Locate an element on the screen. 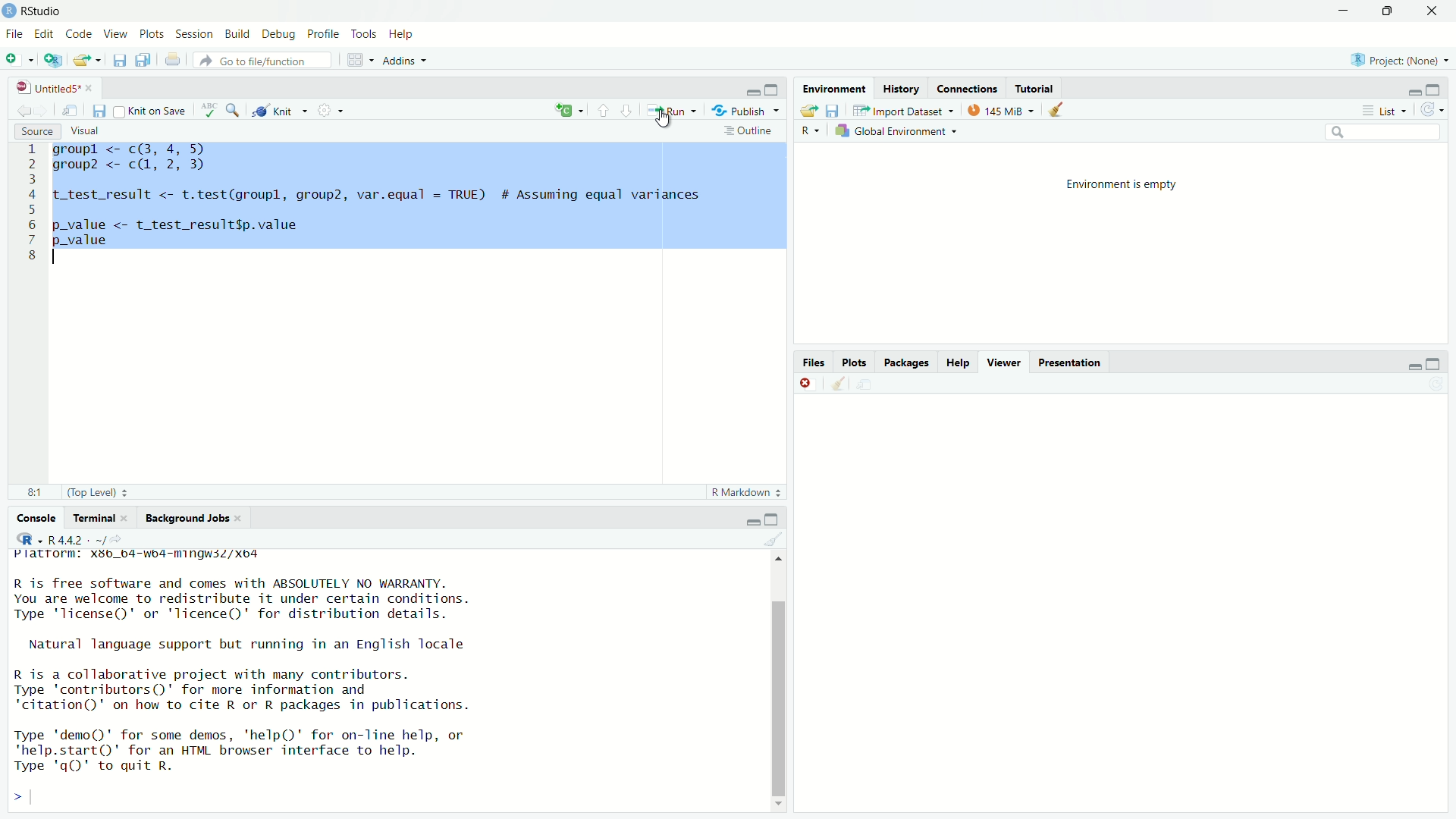 Image resolution: width=1456 pixels, height=819 pixels. Profile is located at coordinates (325, 33).